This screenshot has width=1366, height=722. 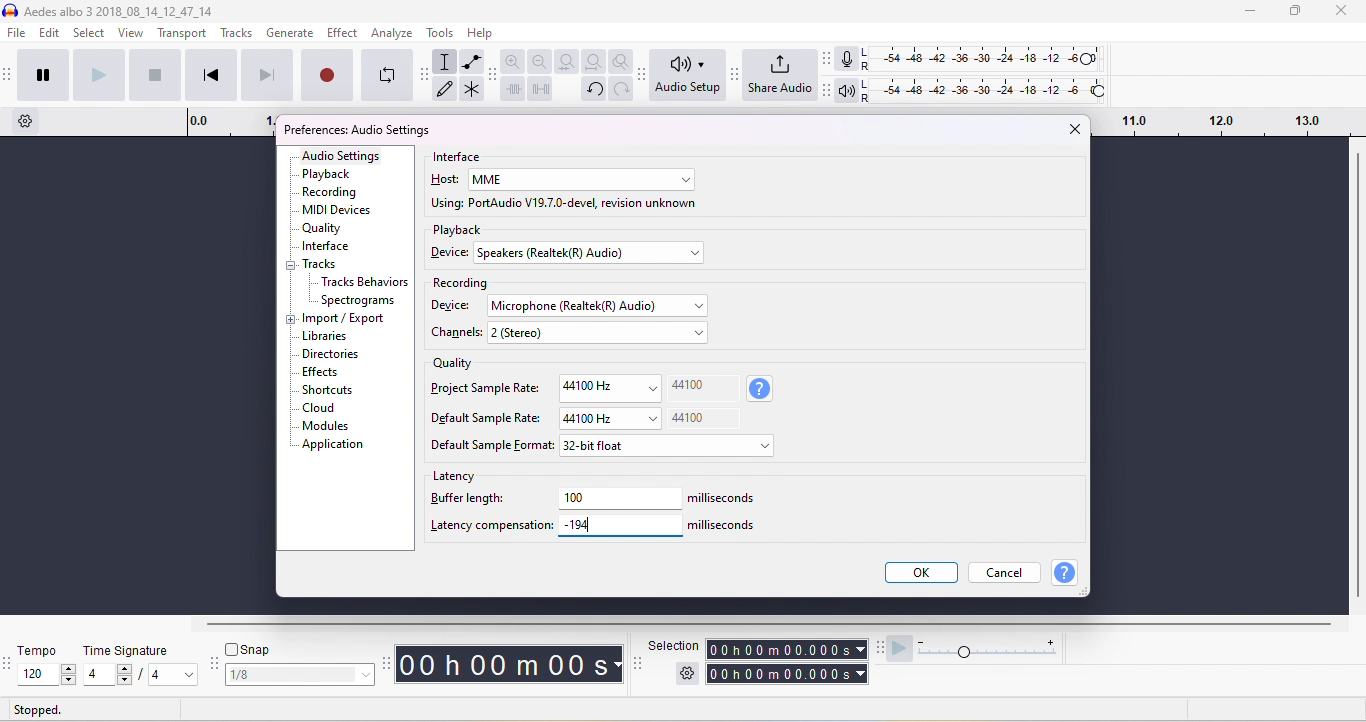 What do you see at coordinates (1072, 128) in the screenshot?
I see `close` at bounding box center [1072, 128].